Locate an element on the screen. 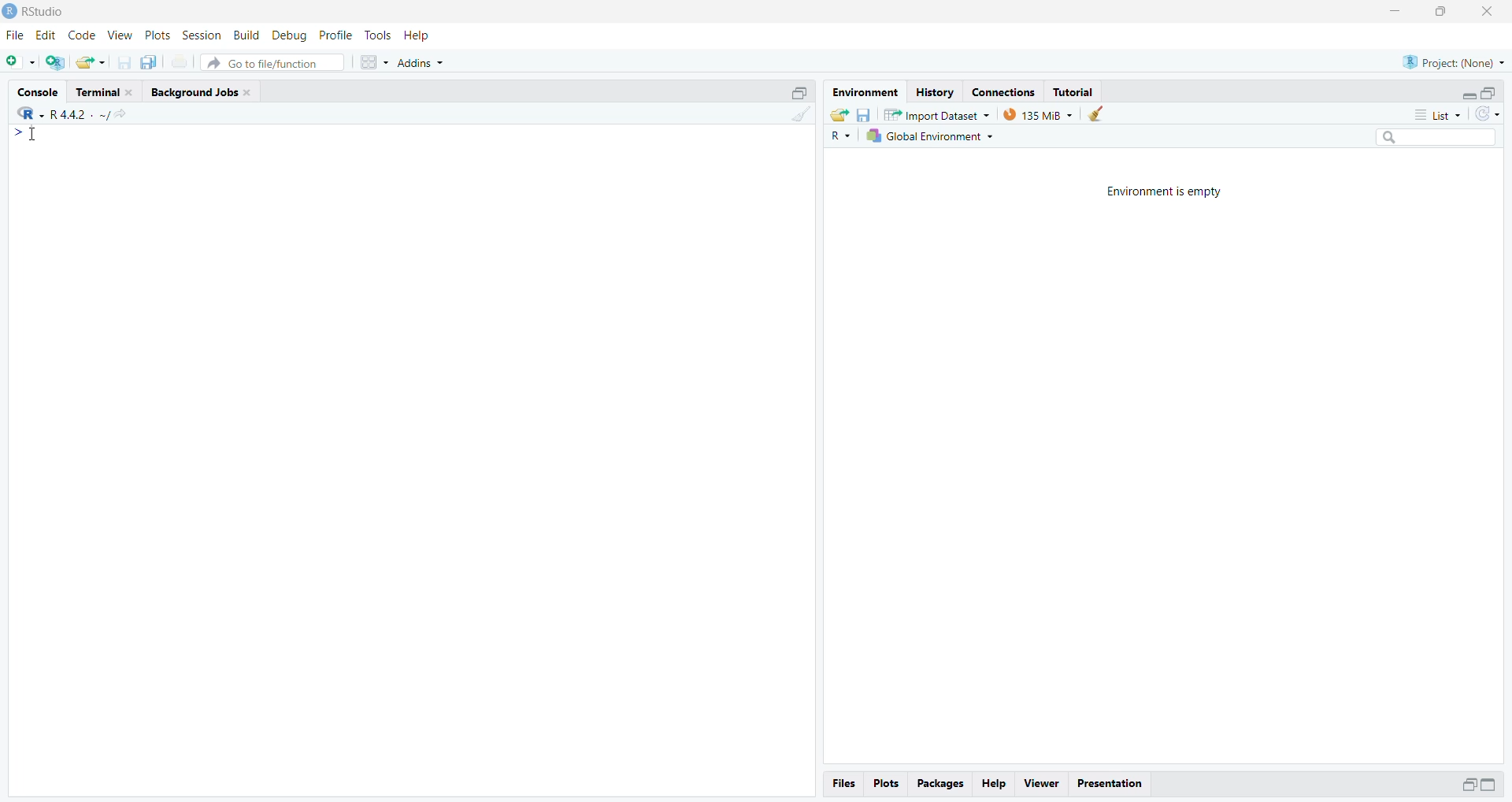 This screenshot has height=802, width=1512. Import Dataset is located at coordinates (937, 114).